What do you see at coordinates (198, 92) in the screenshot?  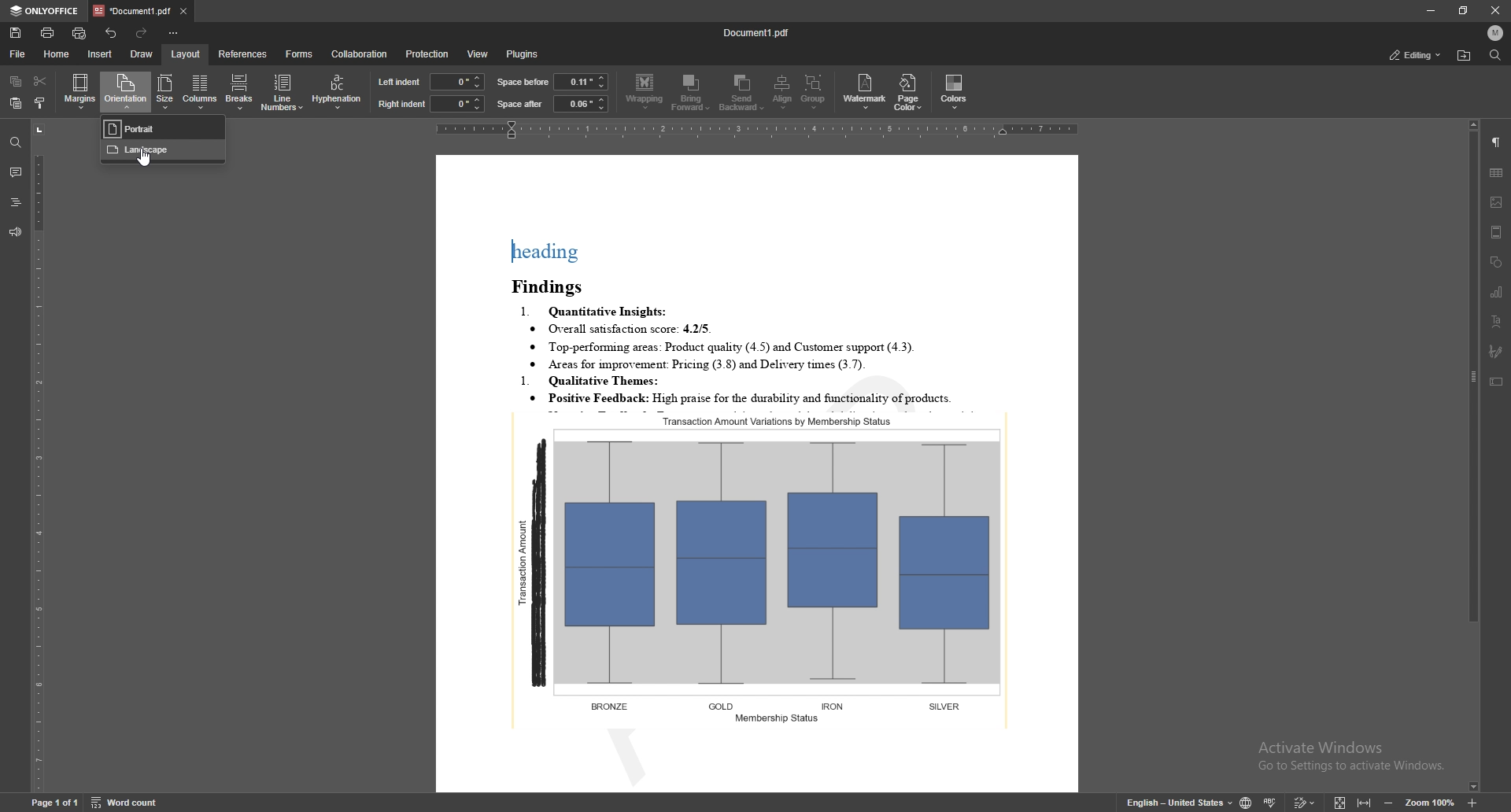 I see `columns` at bounding box center [198, 92].